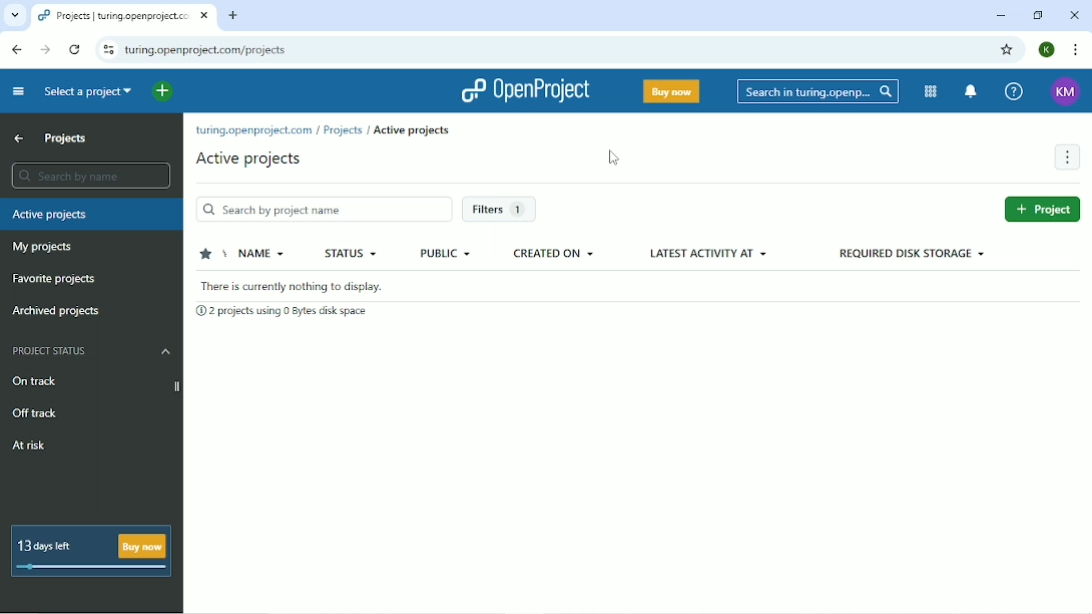 The image size is (1092, 614). What do you see at coordinates (33, 448) in the screenshot?
I see `At risk` at bounding box center [33, 448].